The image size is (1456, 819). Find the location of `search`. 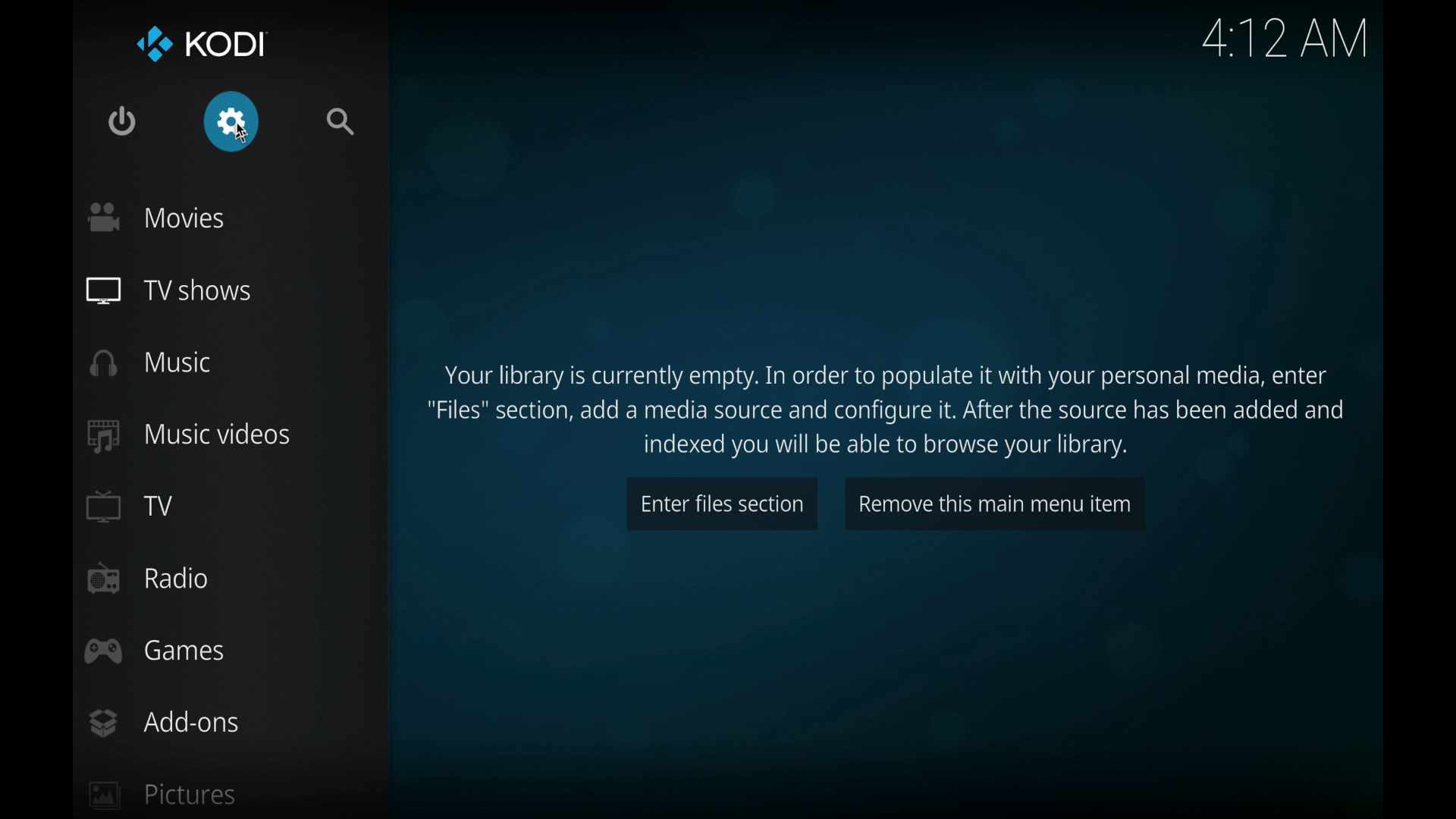

search is located at coordinates (342, 122).